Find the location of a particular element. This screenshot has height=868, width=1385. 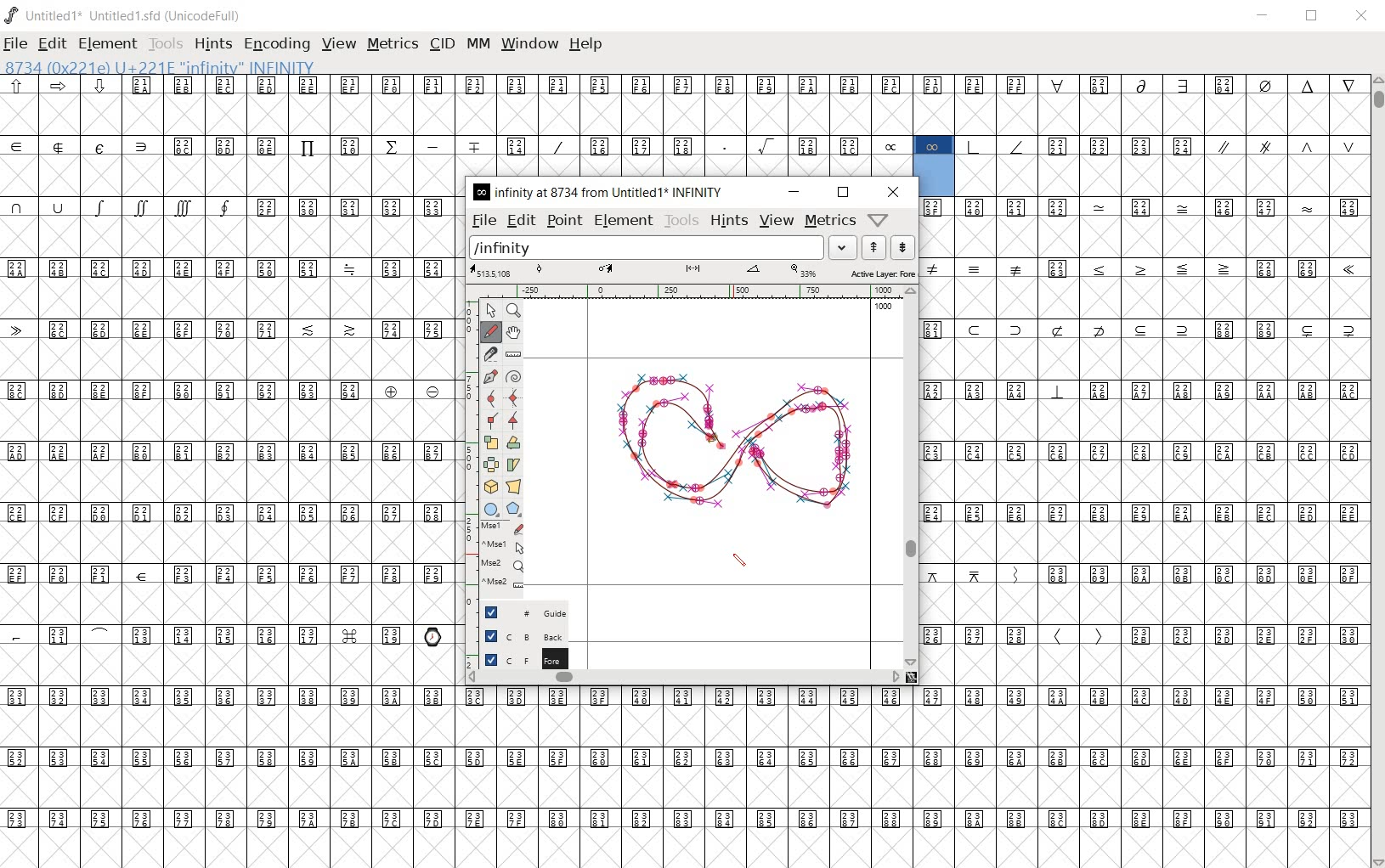

close is located at coordinates (1363, 16).